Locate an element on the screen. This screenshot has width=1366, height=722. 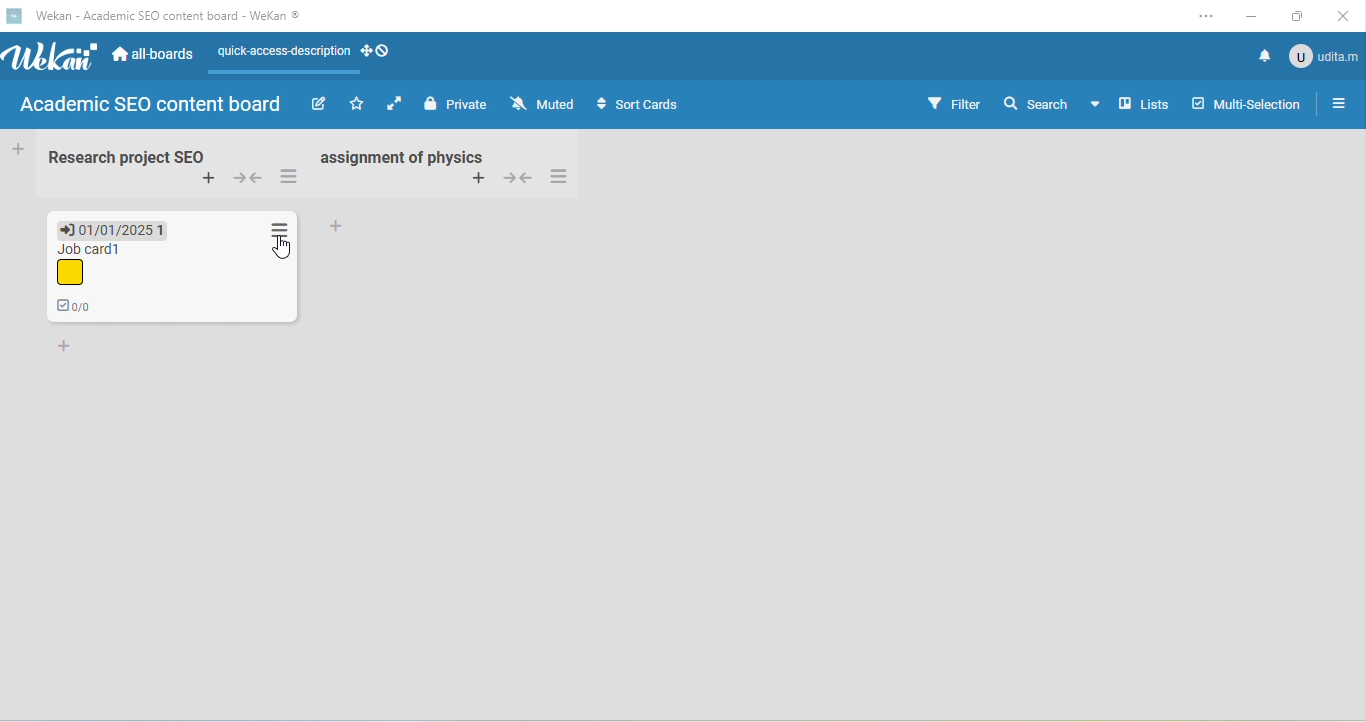
udita mandal is located at coordinates (1326, 56).